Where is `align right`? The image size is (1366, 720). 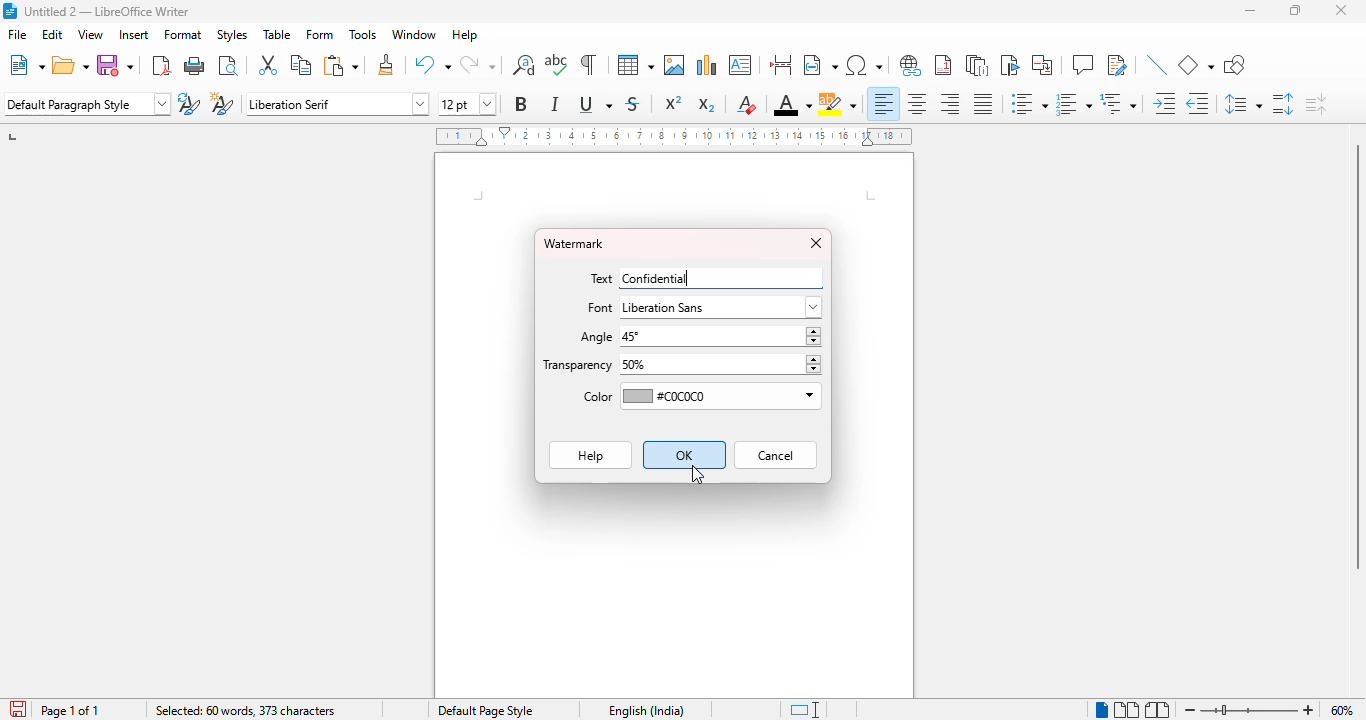
align right is located at coordinates (949, 103).